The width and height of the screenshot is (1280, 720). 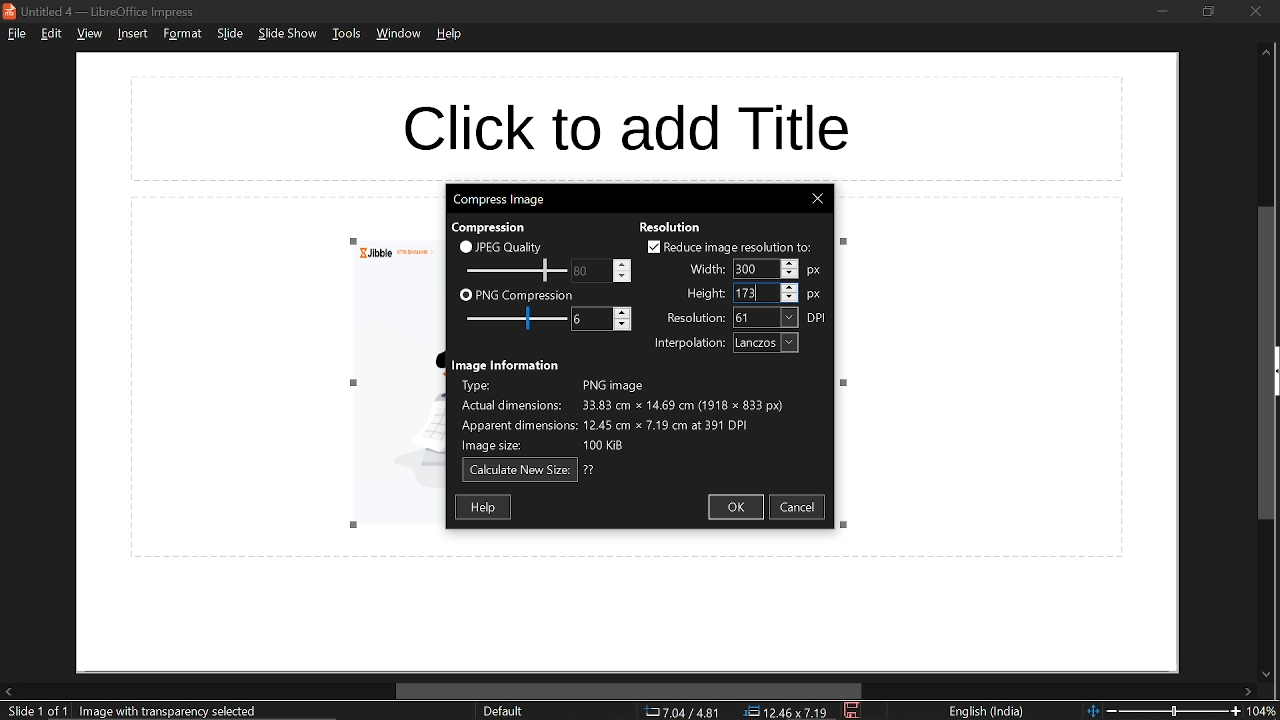 I want to click on text, so click(x=506, y=364).